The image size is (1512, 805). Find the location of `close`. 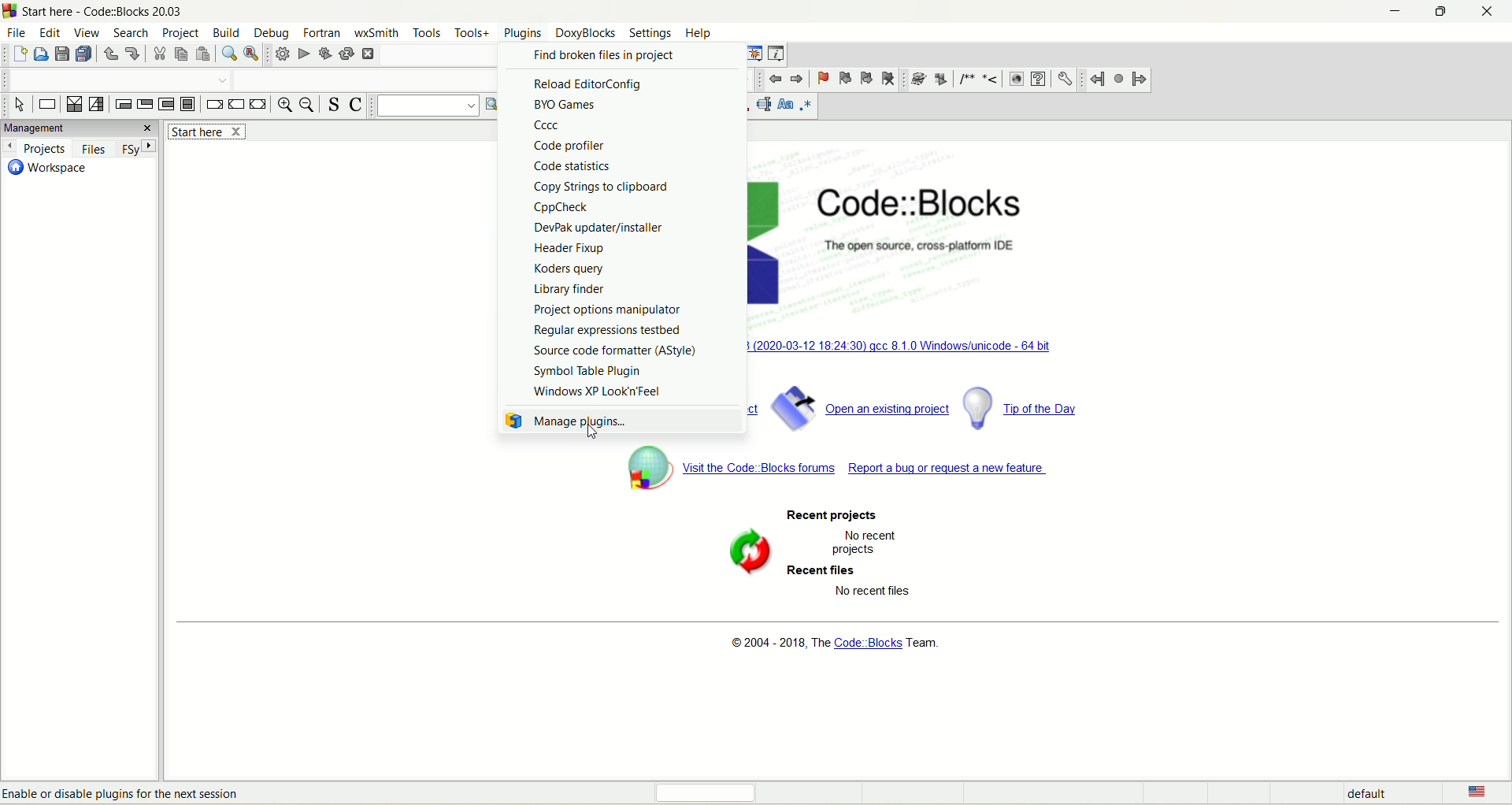

close is located at coordinates (1491, 12).